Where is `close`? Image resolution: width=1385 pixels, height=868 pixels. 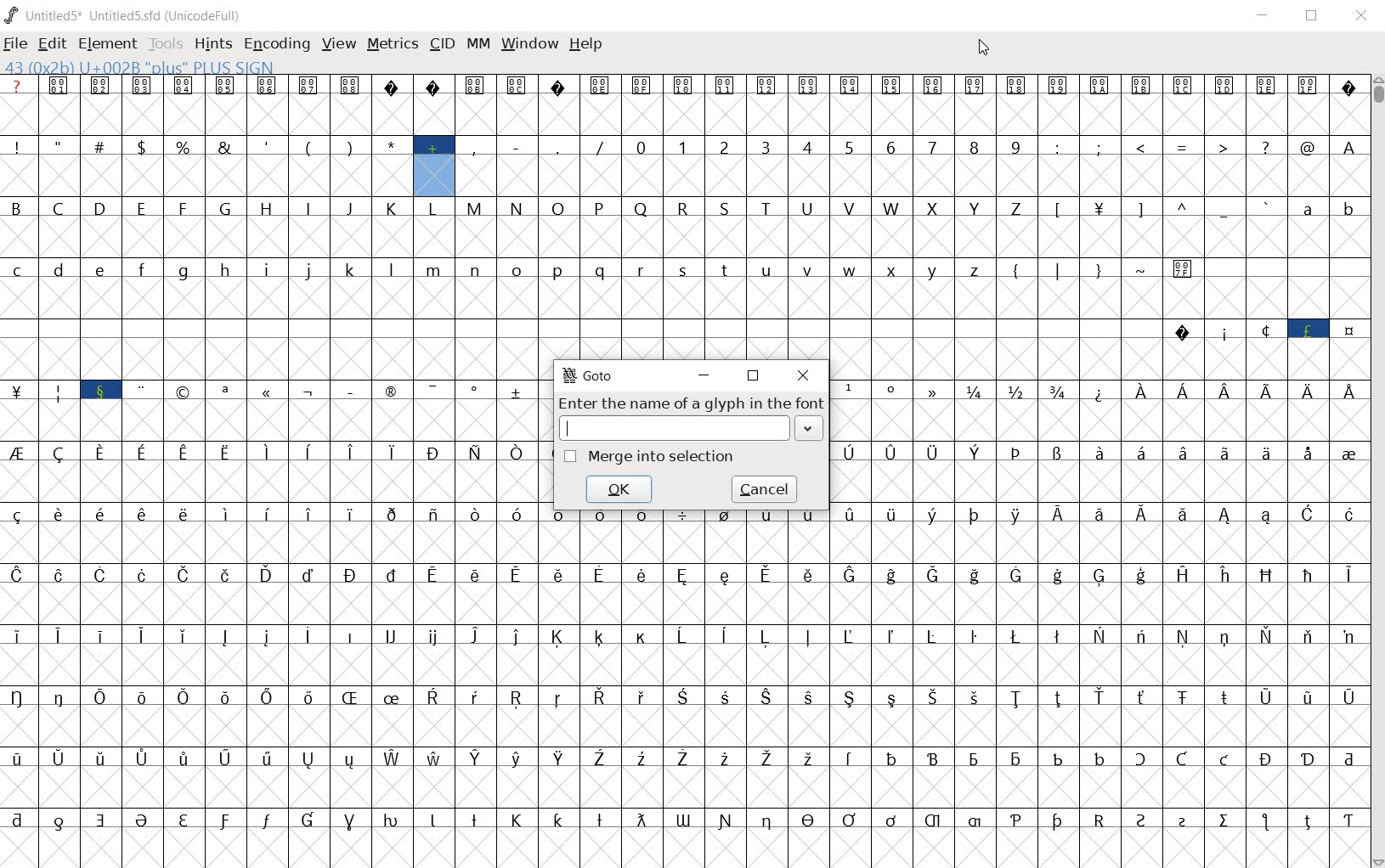 close is located at coordinates (1361, 17).